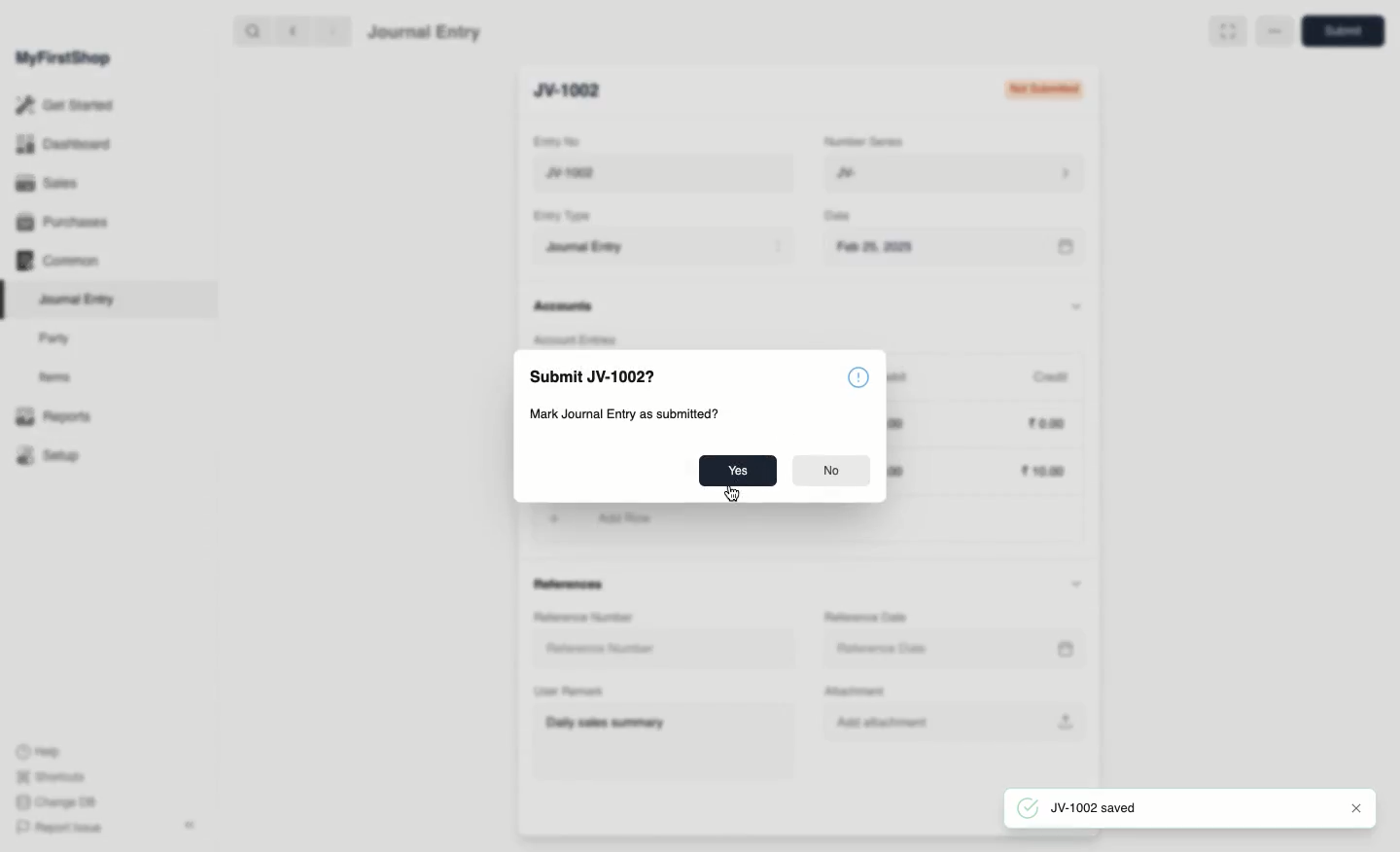 This screenshot has height=852, width=1400. Describe the element at coordinates (859, 375) in the screenshot. I see `information symbol` at that location.